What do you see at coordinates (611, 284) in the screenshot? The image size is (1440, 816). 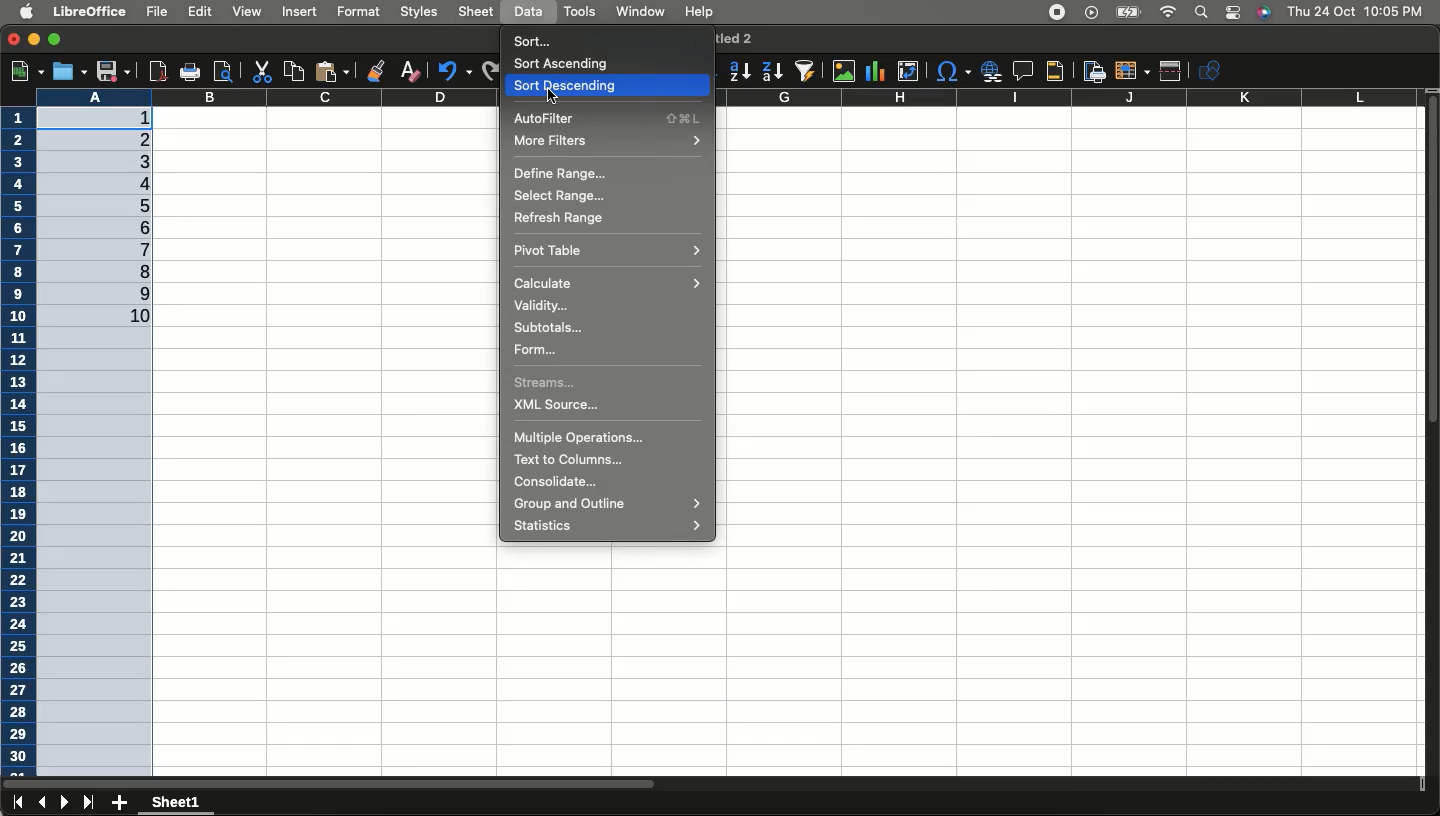 I see `Calculate` at bounding box center [611, 284].